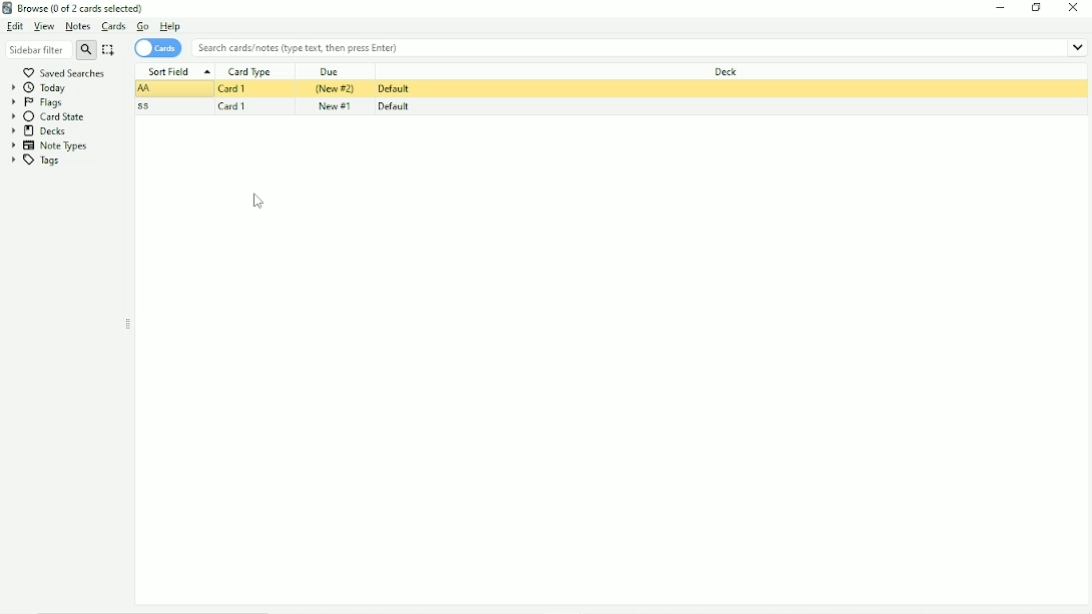 The image size is (1092, 614). Describe the element at coordinates (171, 26) in the screenshot. I see `Help` at that location.